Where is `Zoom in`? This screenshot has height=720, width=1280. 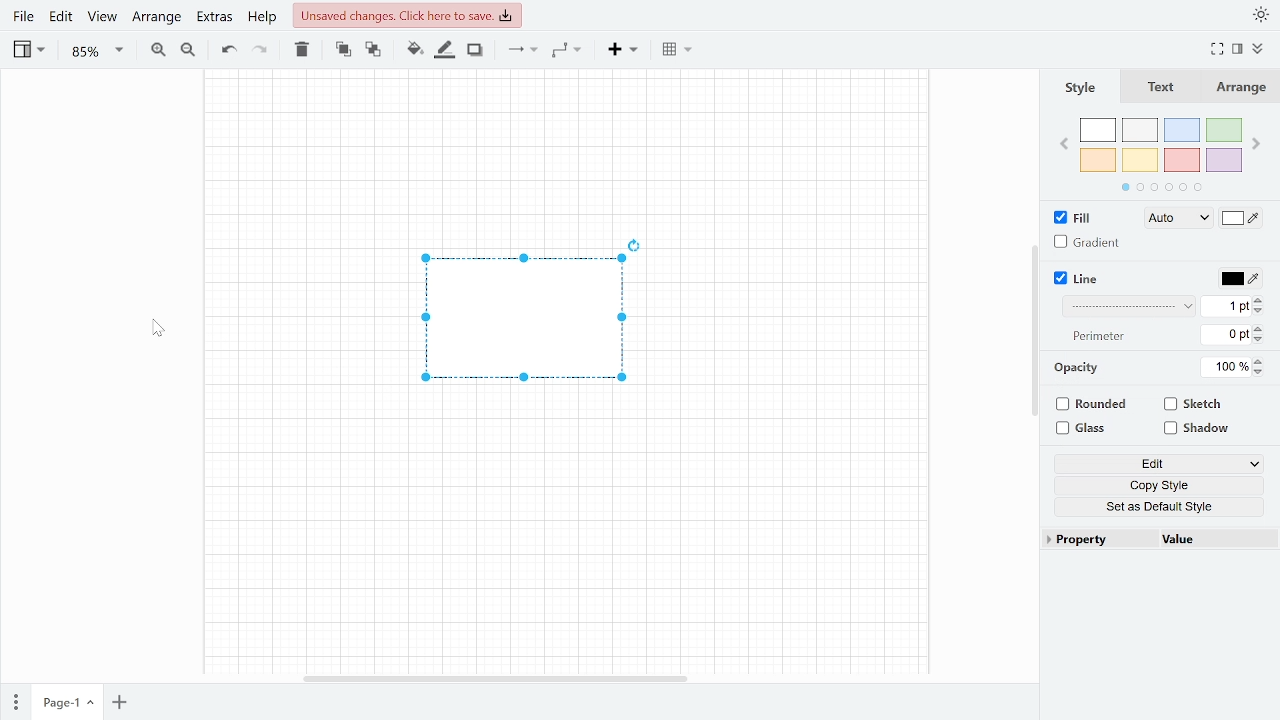
Zoom in is located at coordinates (158, 50).